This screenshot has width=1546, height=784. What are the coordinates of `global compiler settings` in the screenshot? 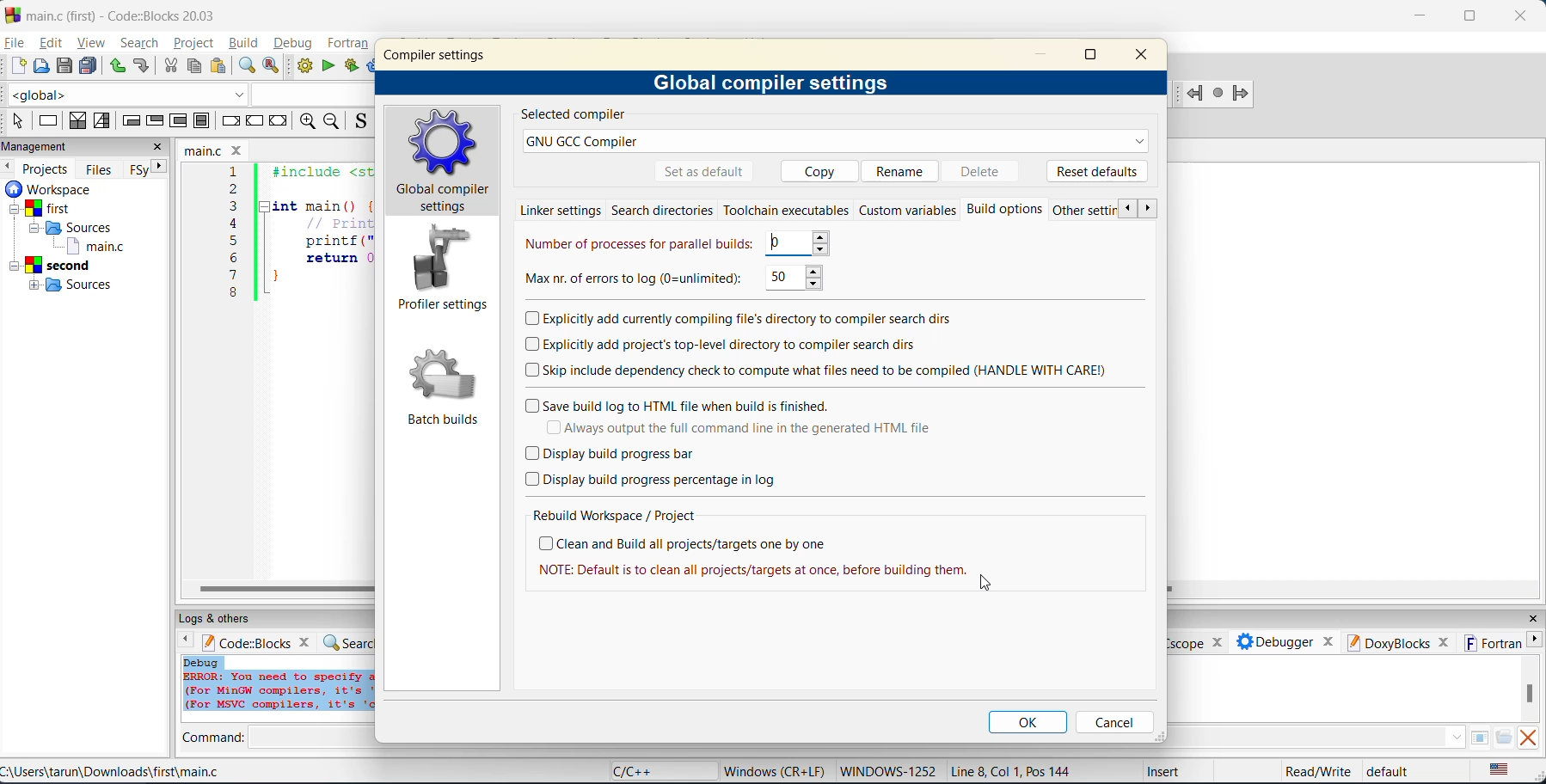 It's located at (775, 84).